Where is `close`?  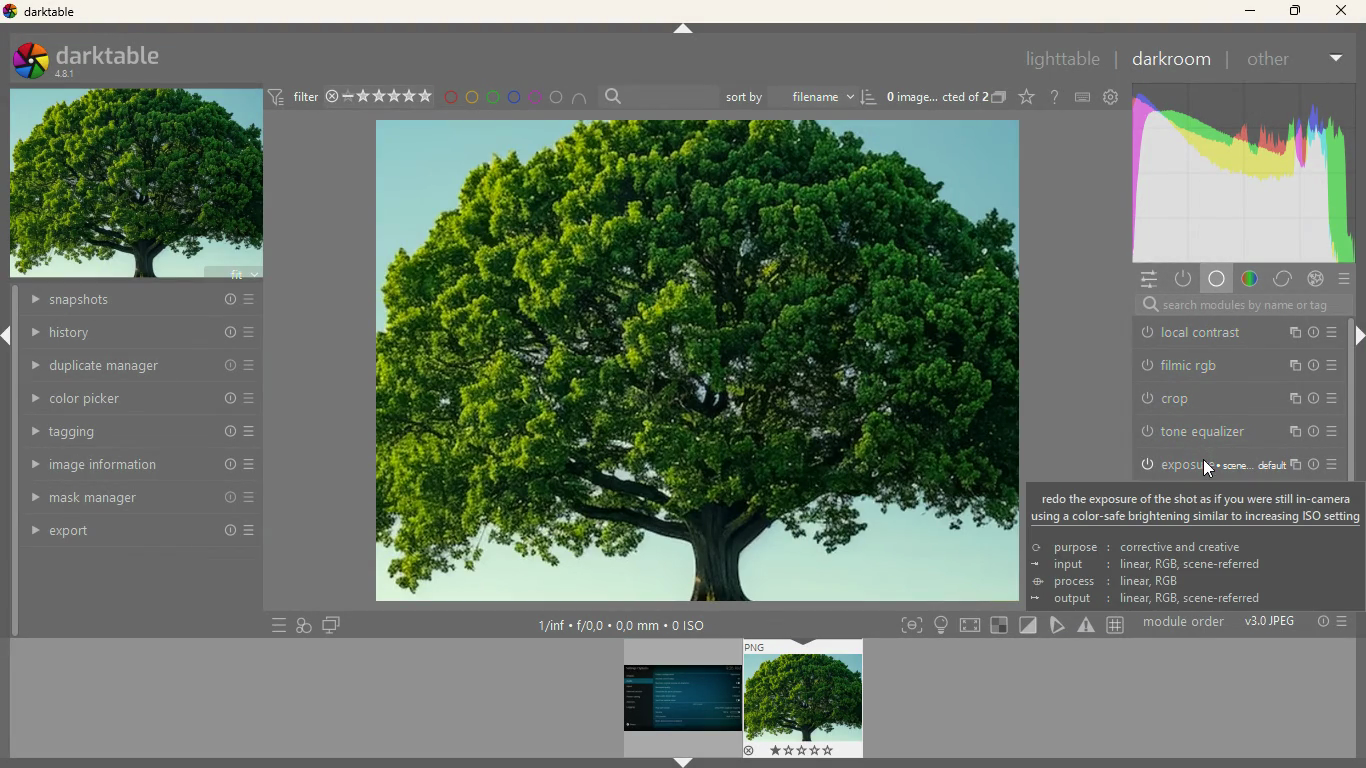 close is located at coordinates (1341, 10).